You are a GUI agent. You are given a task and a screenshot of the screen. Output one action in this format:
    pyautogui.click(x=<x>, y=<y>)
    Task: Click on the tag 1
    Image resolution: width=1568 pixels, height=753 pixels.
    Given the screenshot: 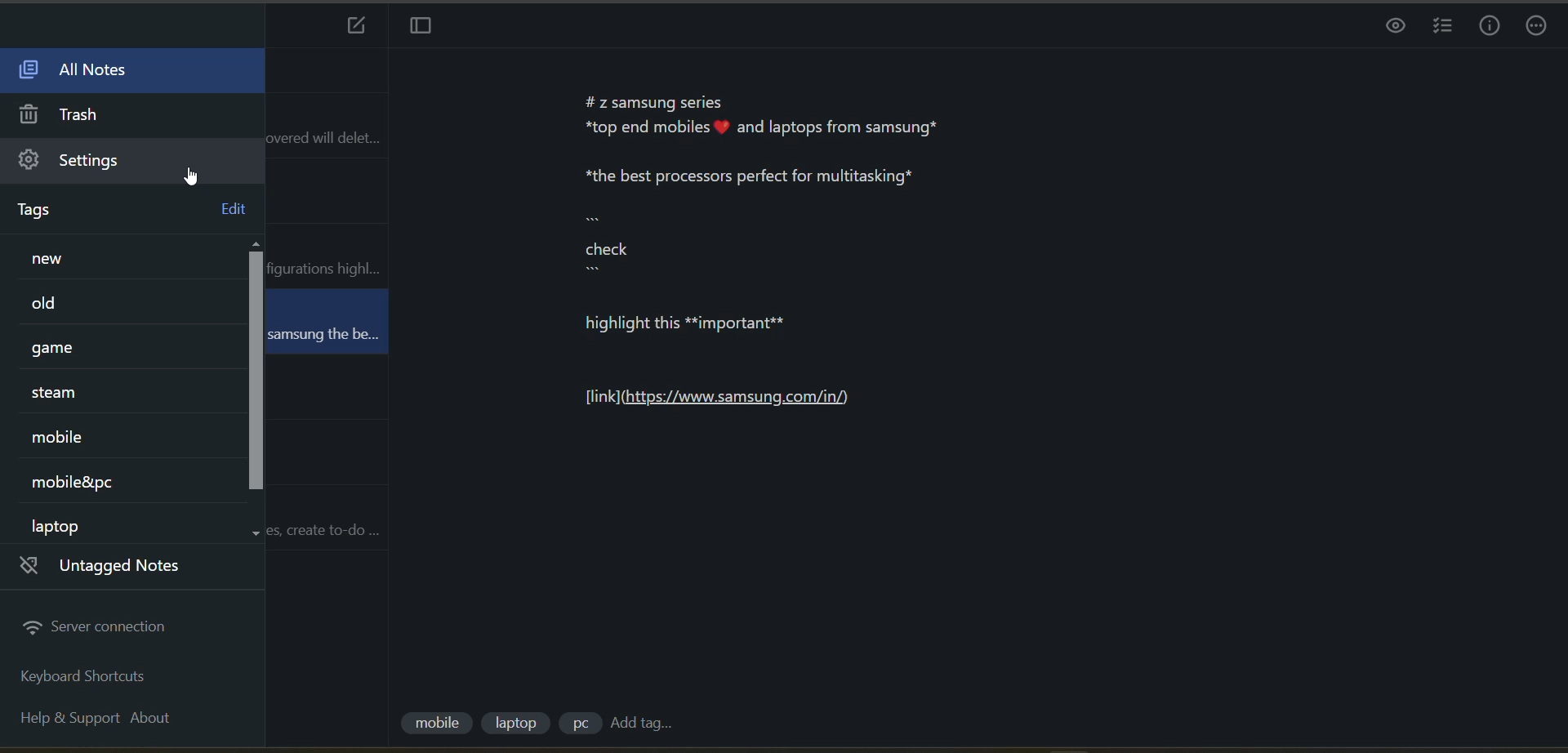 What is the action you would take?
    pyautogui.click(x=92, y=259)
    